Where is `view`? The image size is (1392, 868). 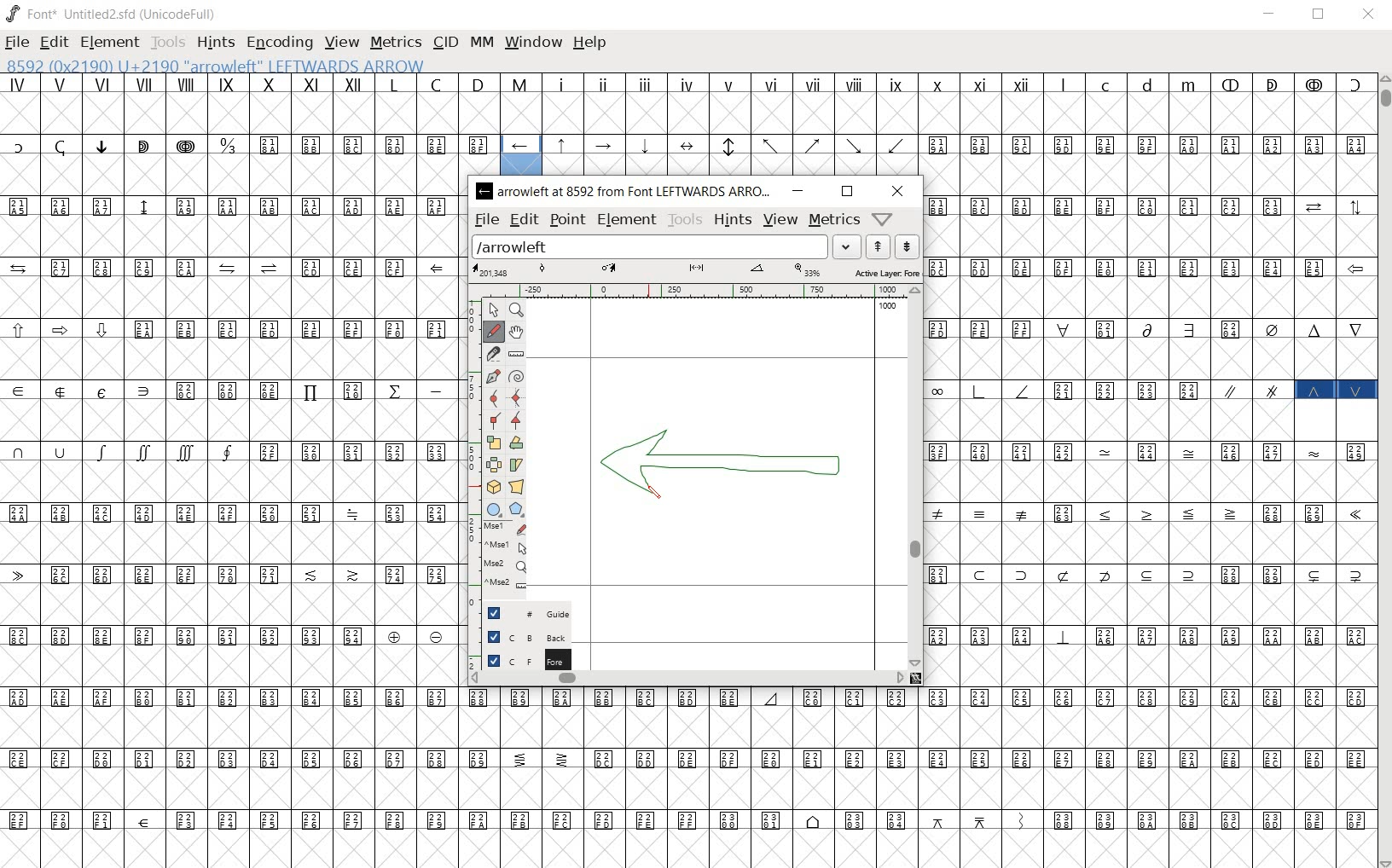
view is located at coordinates (782, 220).